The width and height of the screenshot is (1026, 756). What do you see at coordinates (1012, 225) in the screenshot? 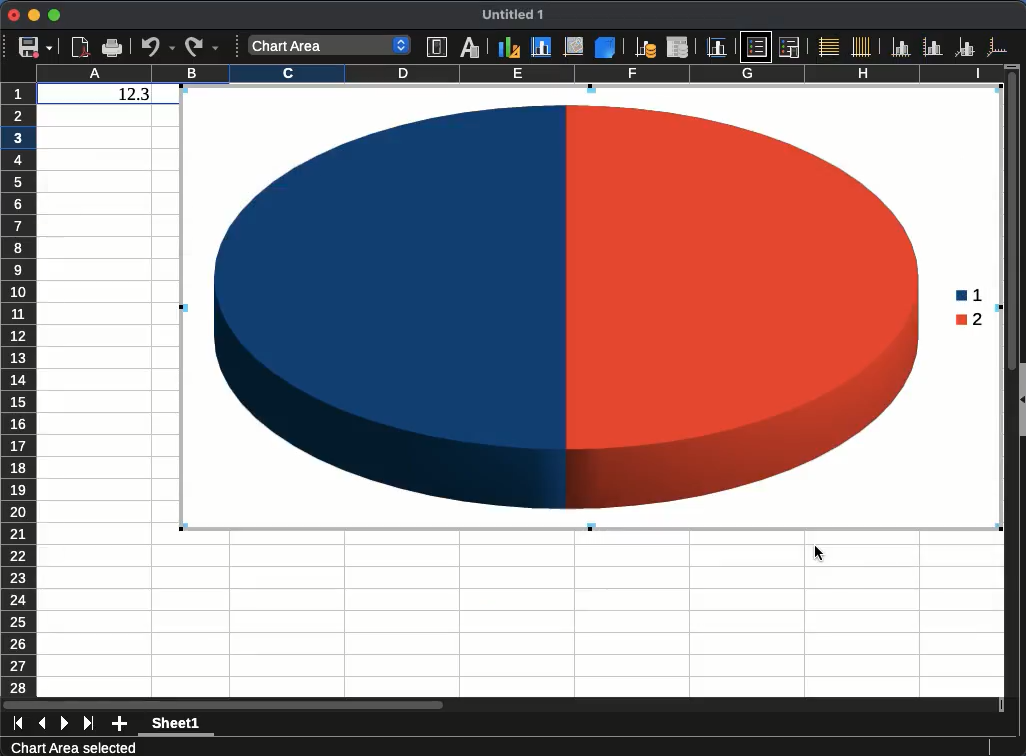
I see `Vertical slide bar` at bounding box center [1012, 225].